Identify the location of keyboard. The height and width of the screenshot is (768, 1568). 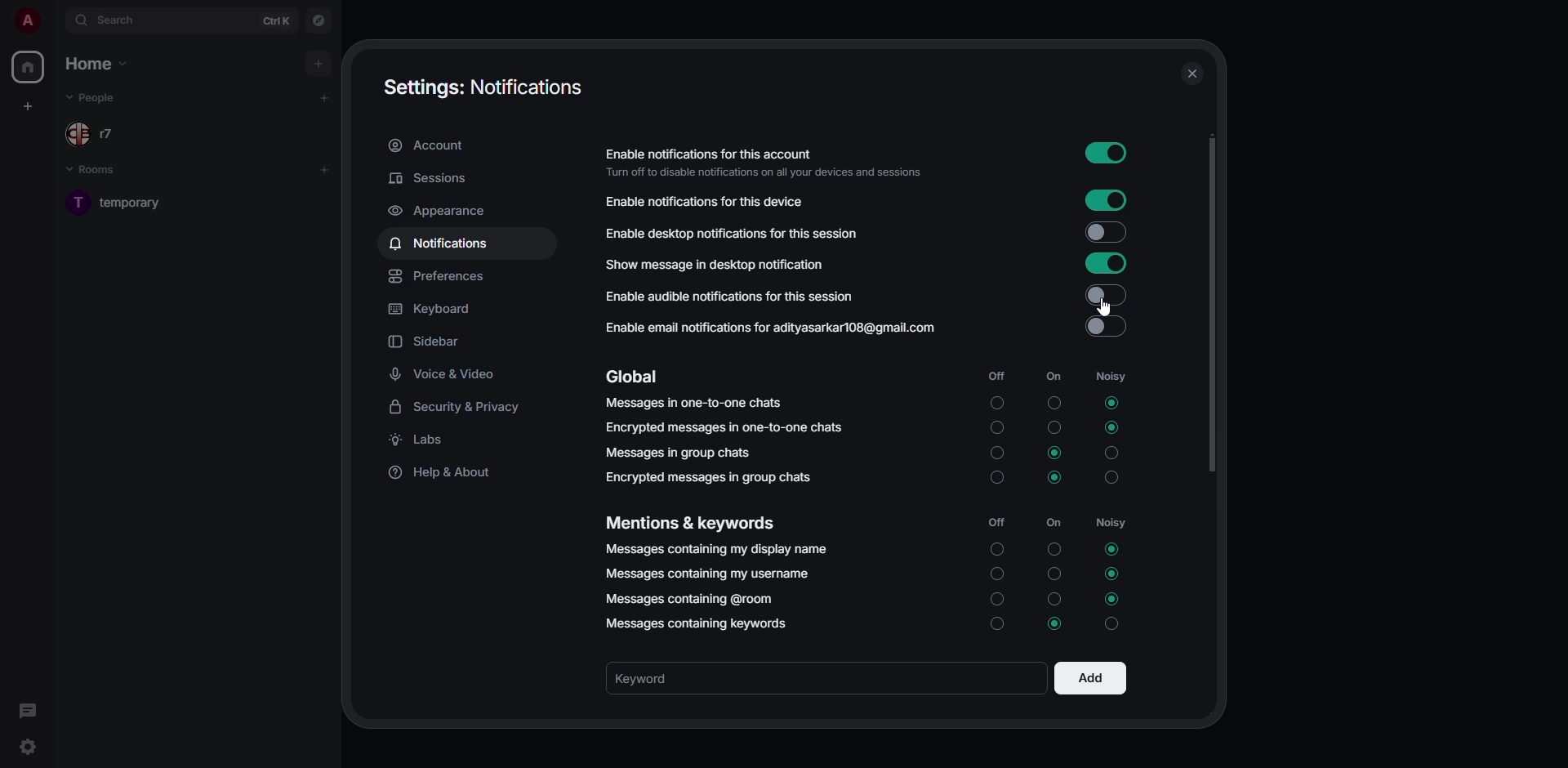
(431, 310).